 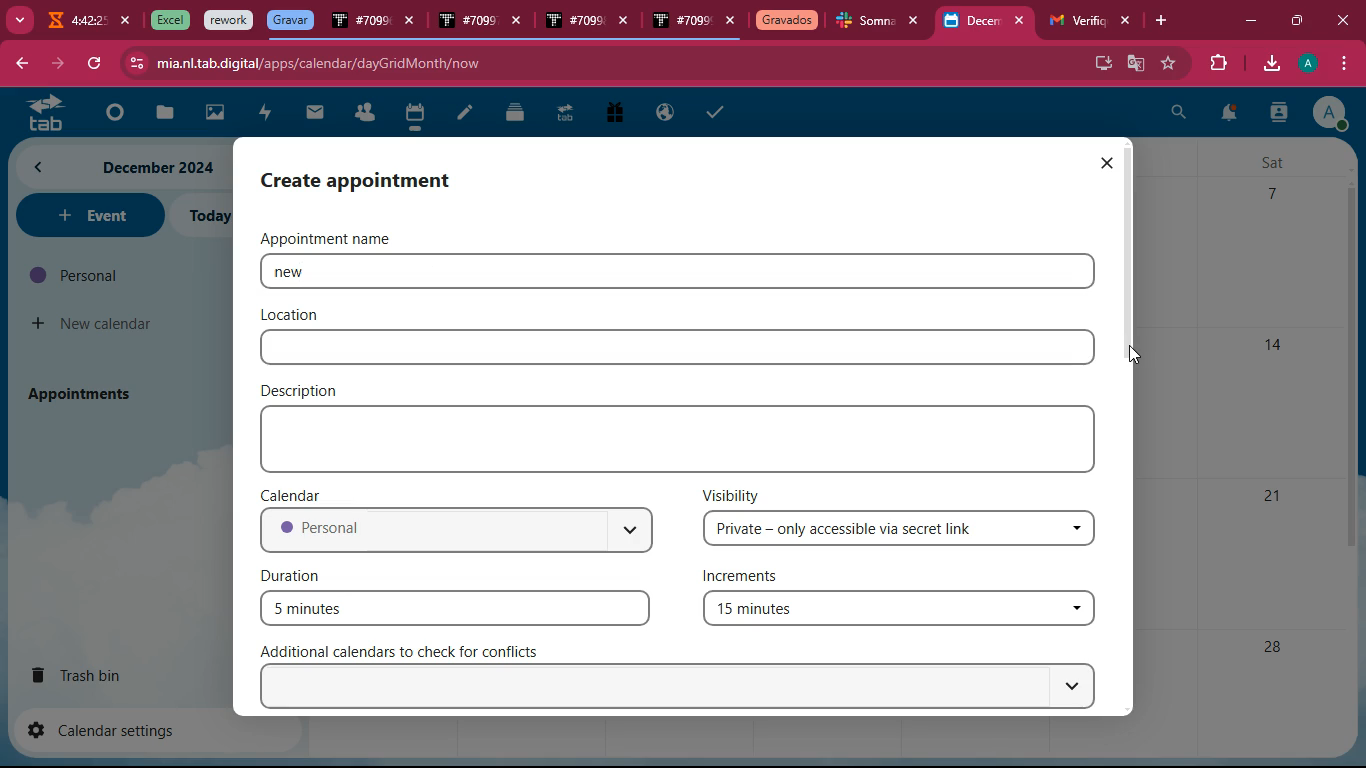 What do you see at coordinates (901, 529) in the screenshot?
I see `private` at bounding box center [901, 529].